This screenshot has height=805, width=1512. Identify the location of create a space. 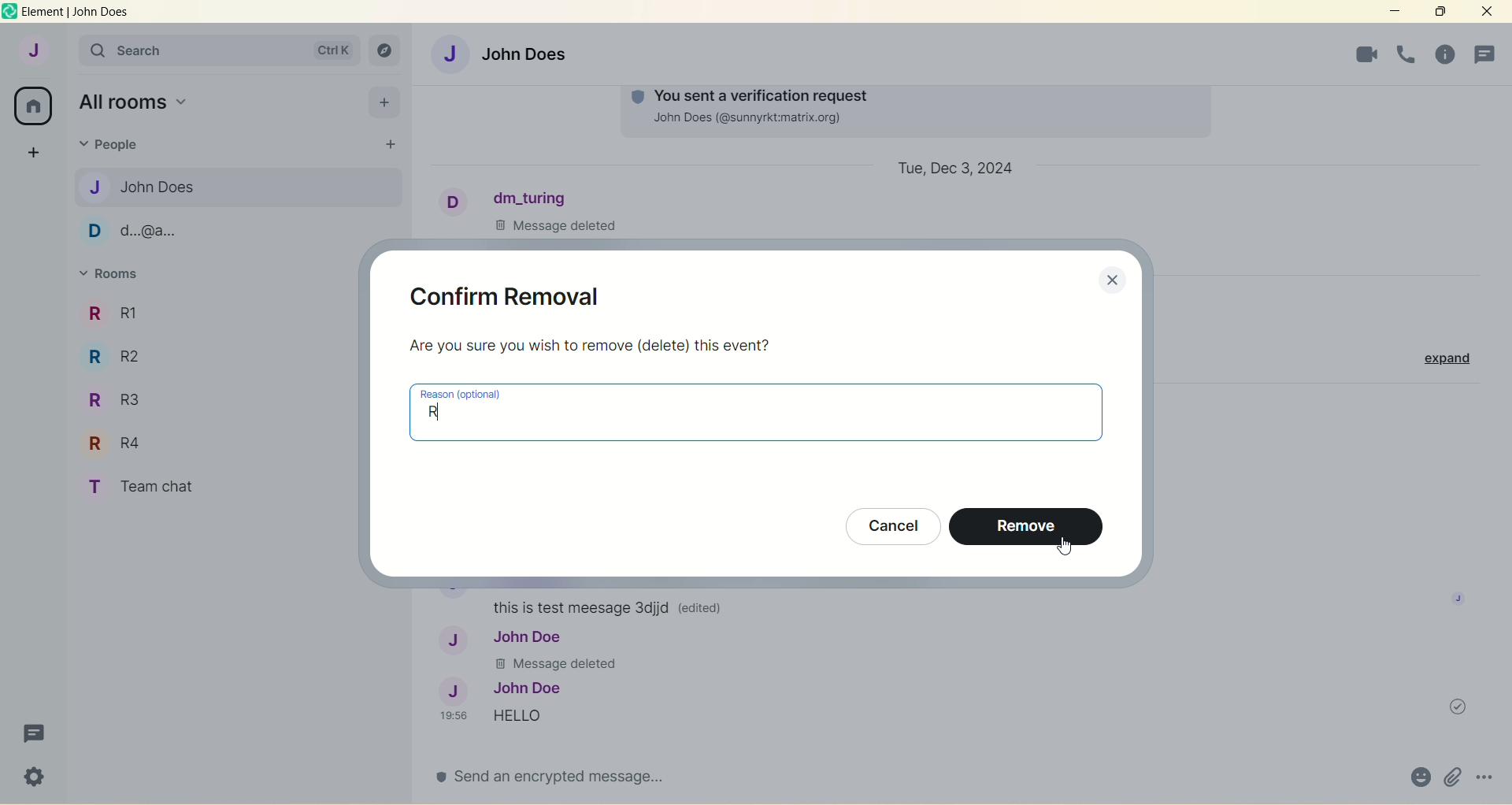
(35, 154).